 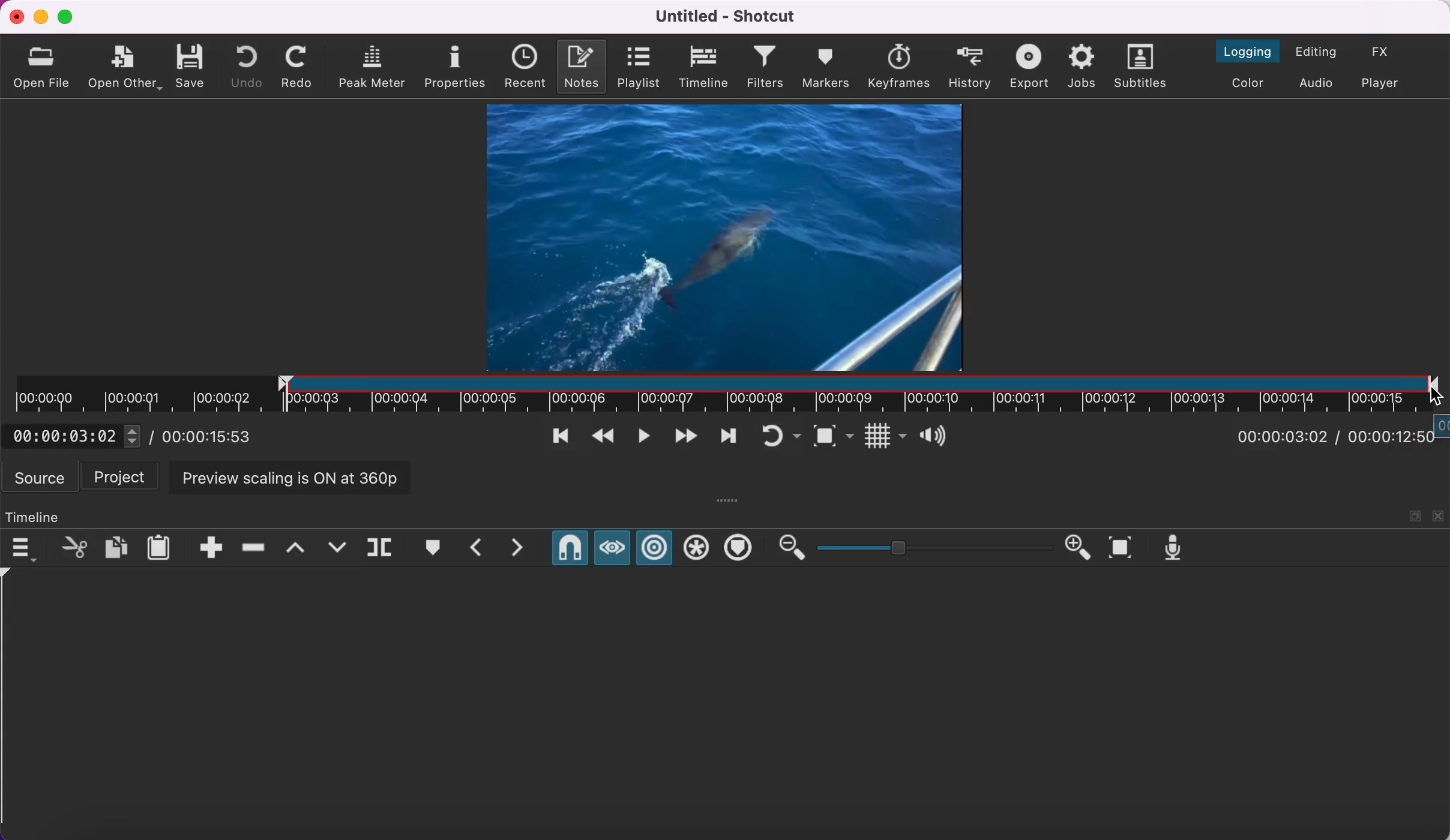 I want to click on play quickly forwards, so click(x=682, y=438).